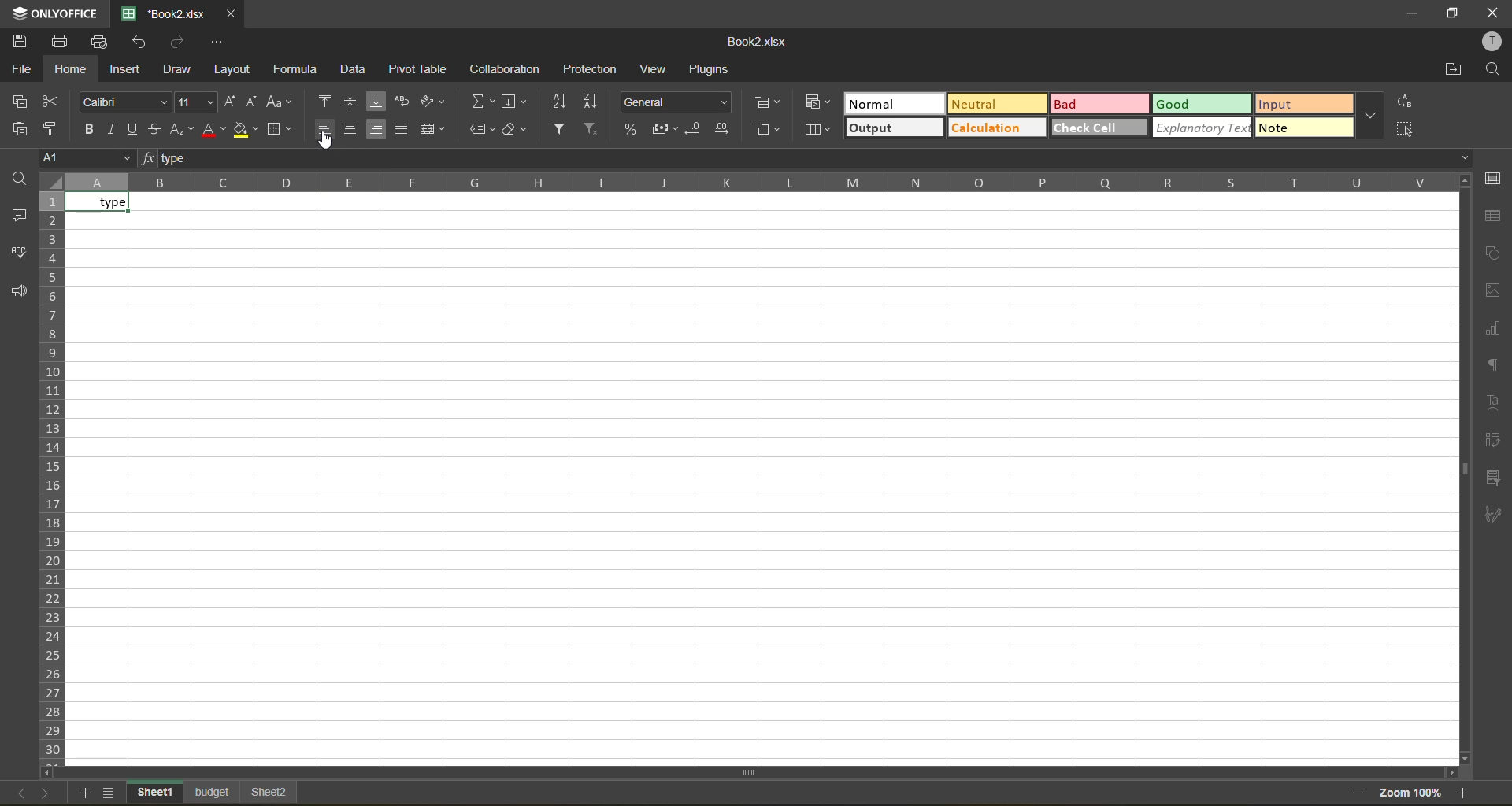 The width and height of the screenshot is (1512, 806). I want to click on data, so click(354, 69).